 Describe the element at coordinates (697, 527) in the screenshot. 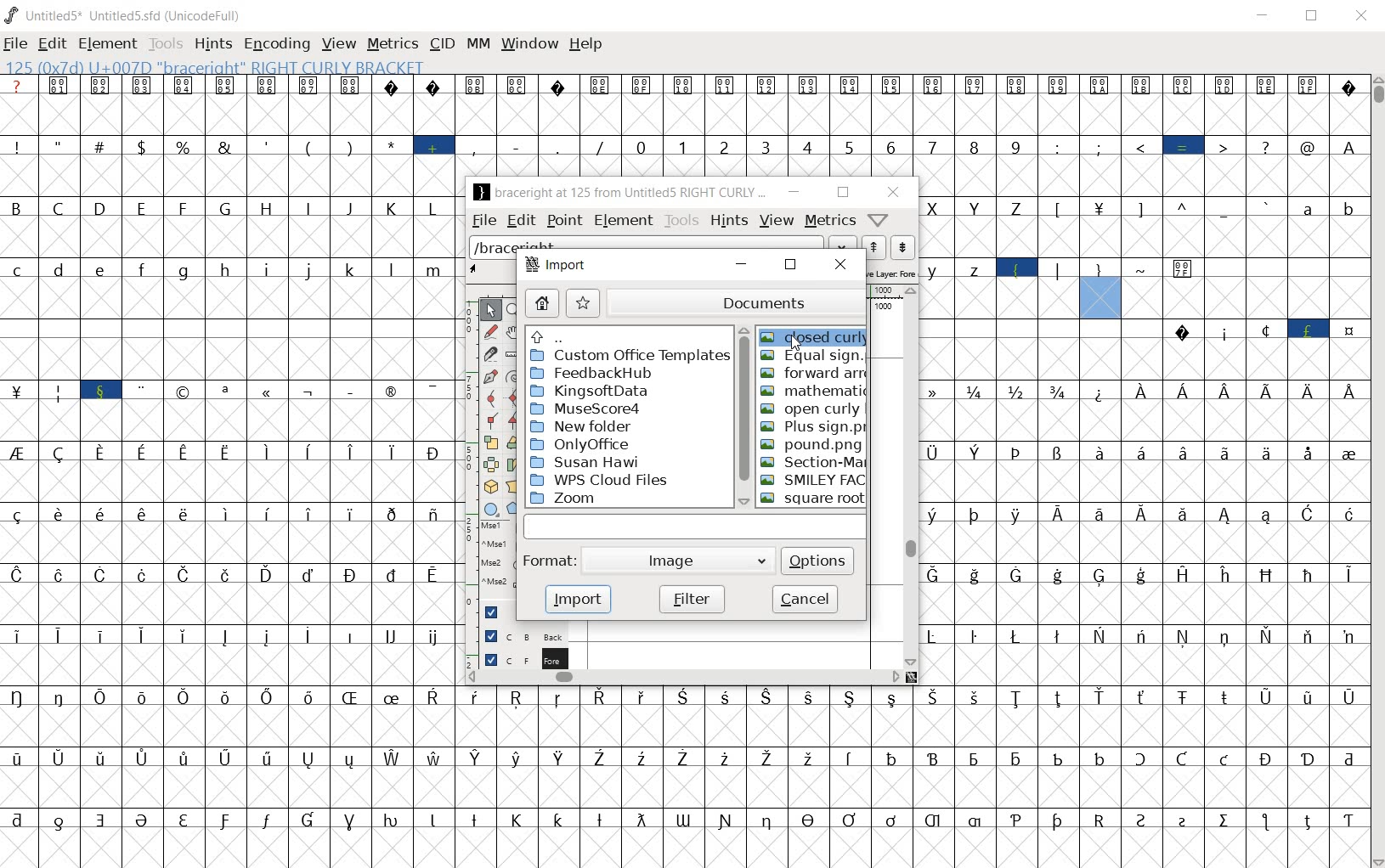

I see `Input Field` at that location.